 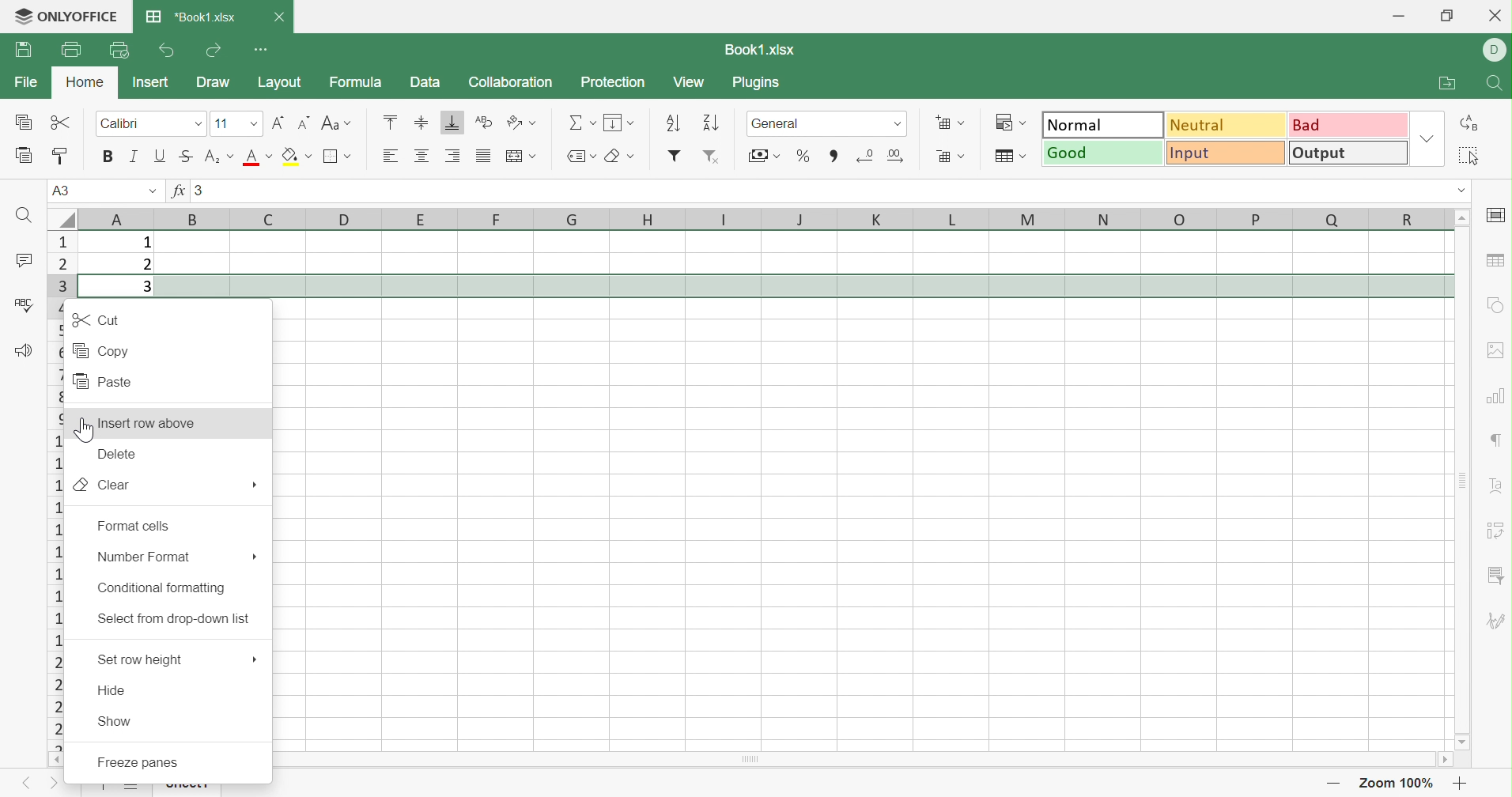 I want to click on 3, so click(x=148, y=288).